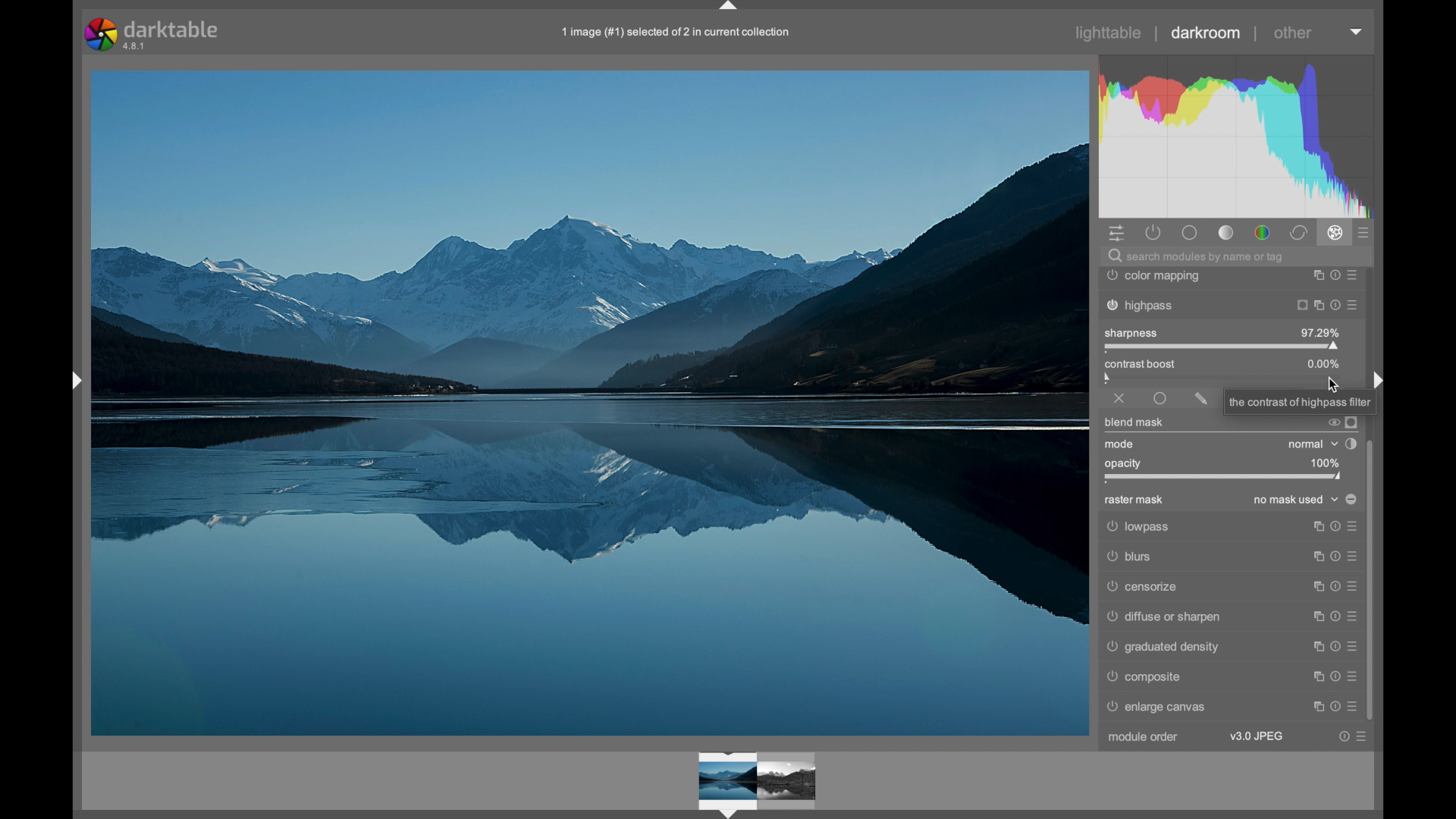 The image size is (1456, 819). I want to click on show active modules only, so click(1153, 233).